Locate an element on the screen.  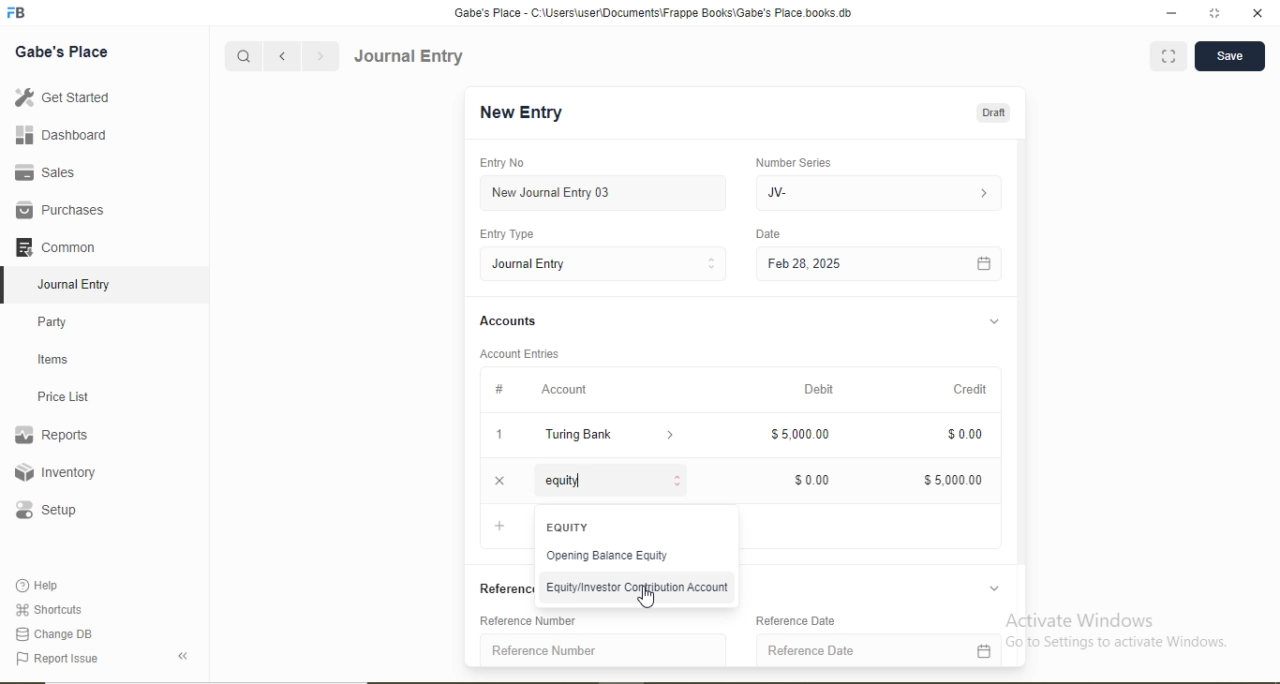
Entry Type is located at coordinates (505, 234).